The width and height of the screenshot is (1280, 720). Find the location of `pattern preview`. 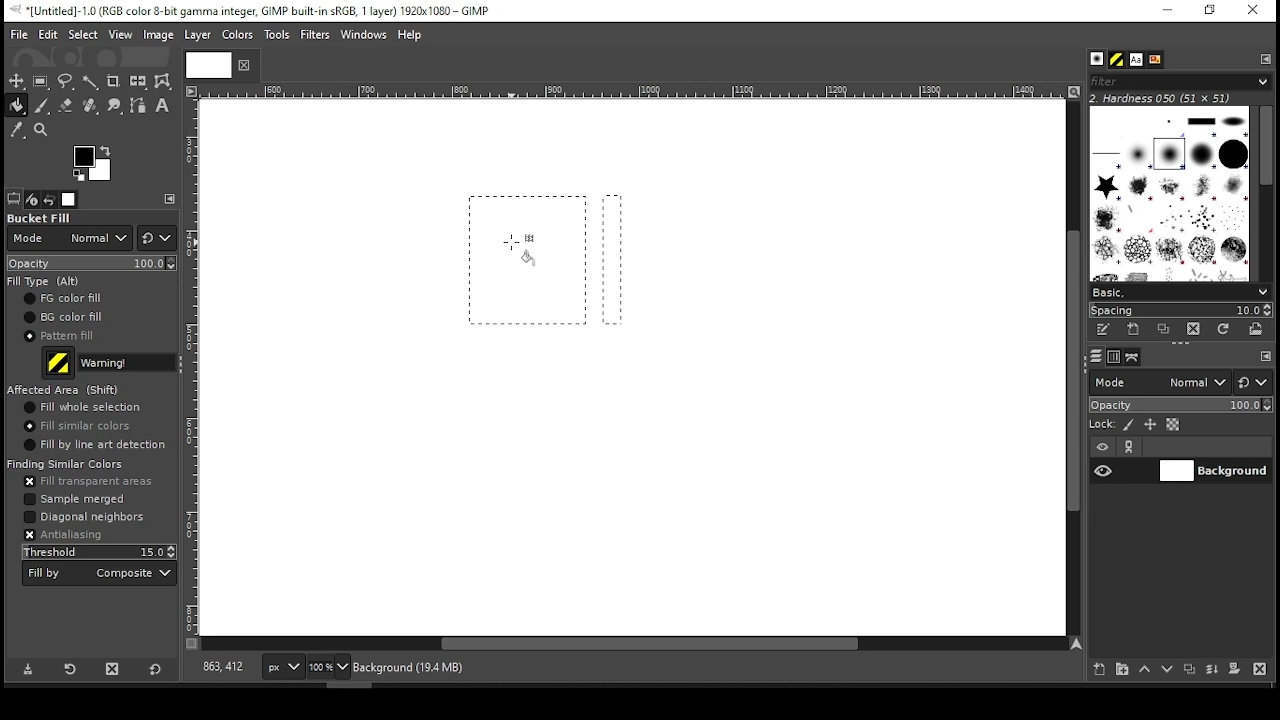

pattern preview is located at coordinates (59, 363).